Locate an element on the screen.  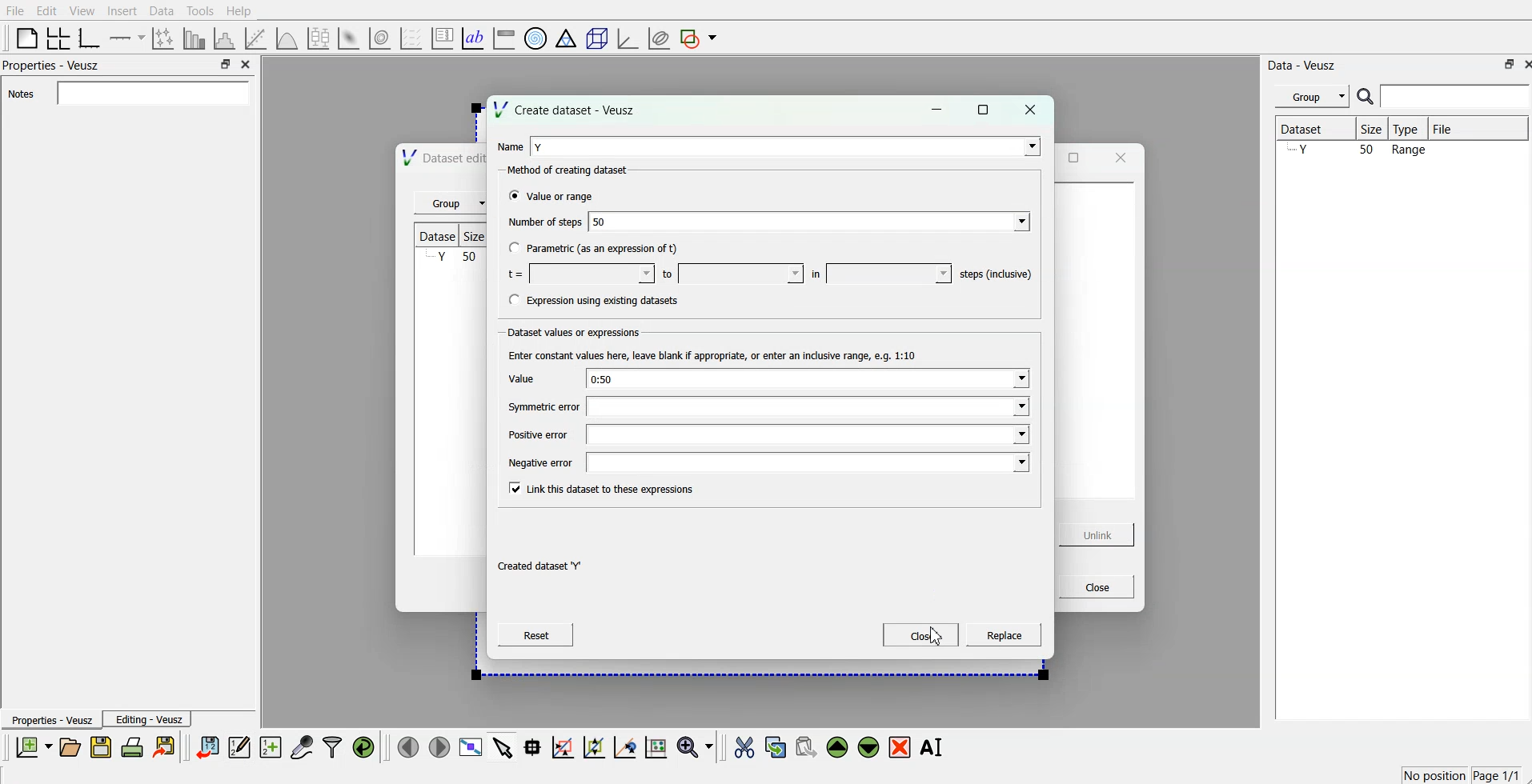
Link this dataset to these expressions is located at coordinates (613, 490).